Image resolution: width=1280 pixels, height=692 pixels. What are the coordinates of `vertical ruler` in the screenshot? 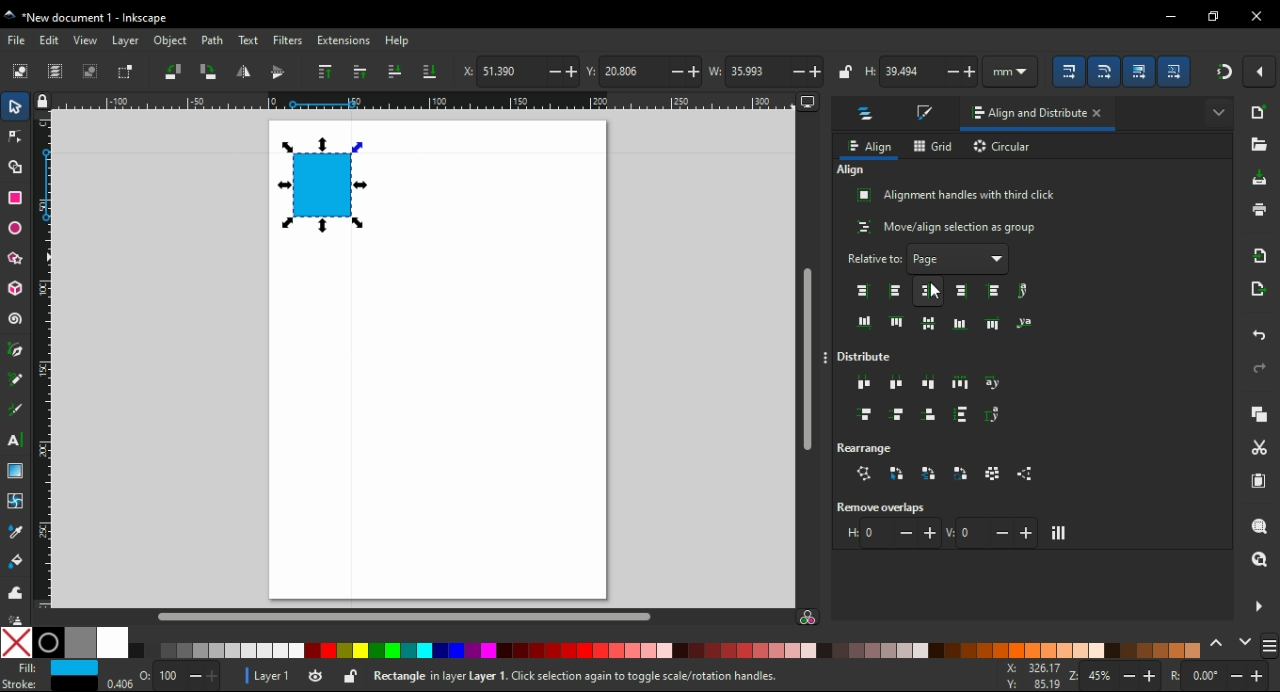 It's located at (48, 359).